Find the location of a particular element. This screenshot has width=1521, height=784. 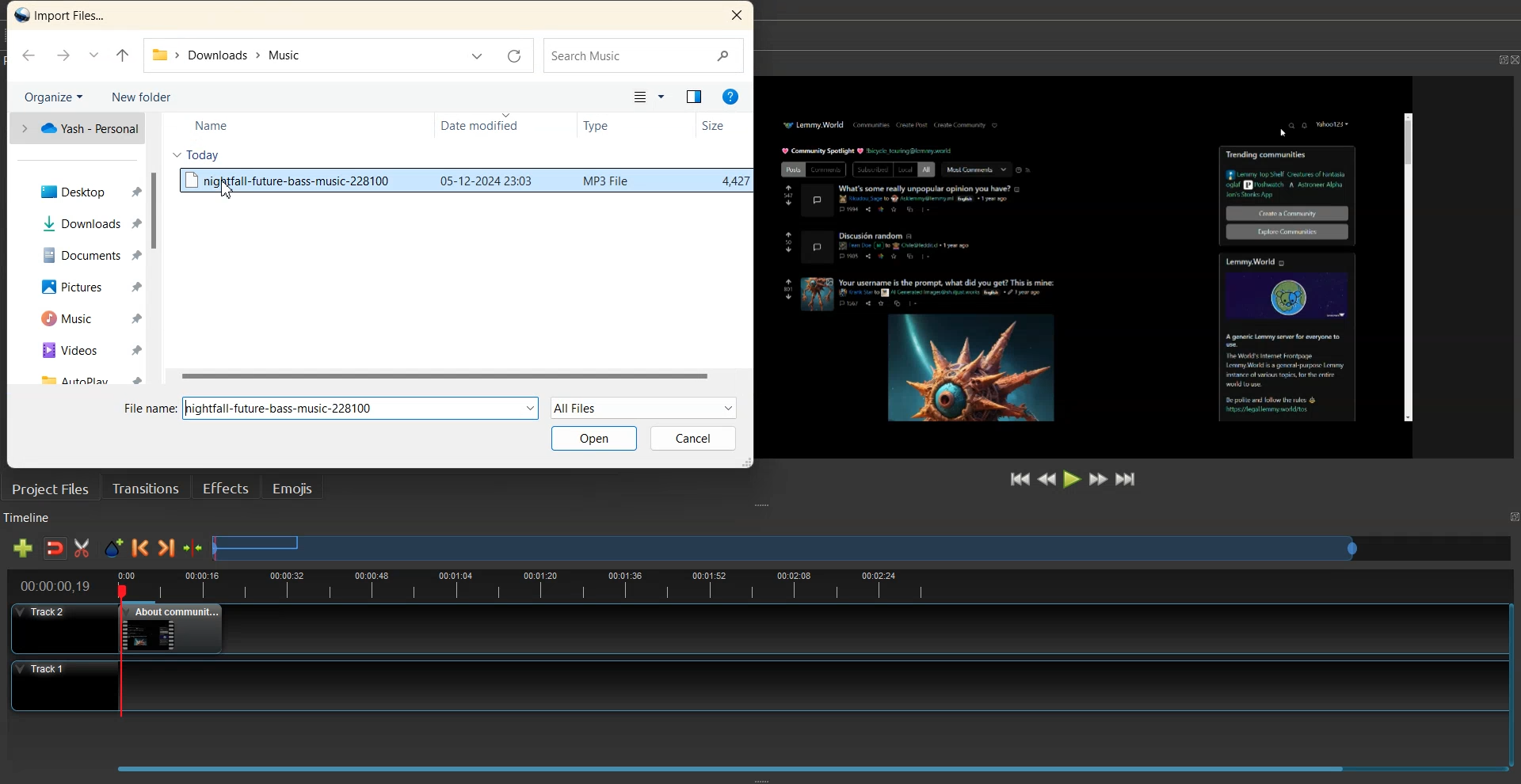

Documents is located at coordinates (74, 255).